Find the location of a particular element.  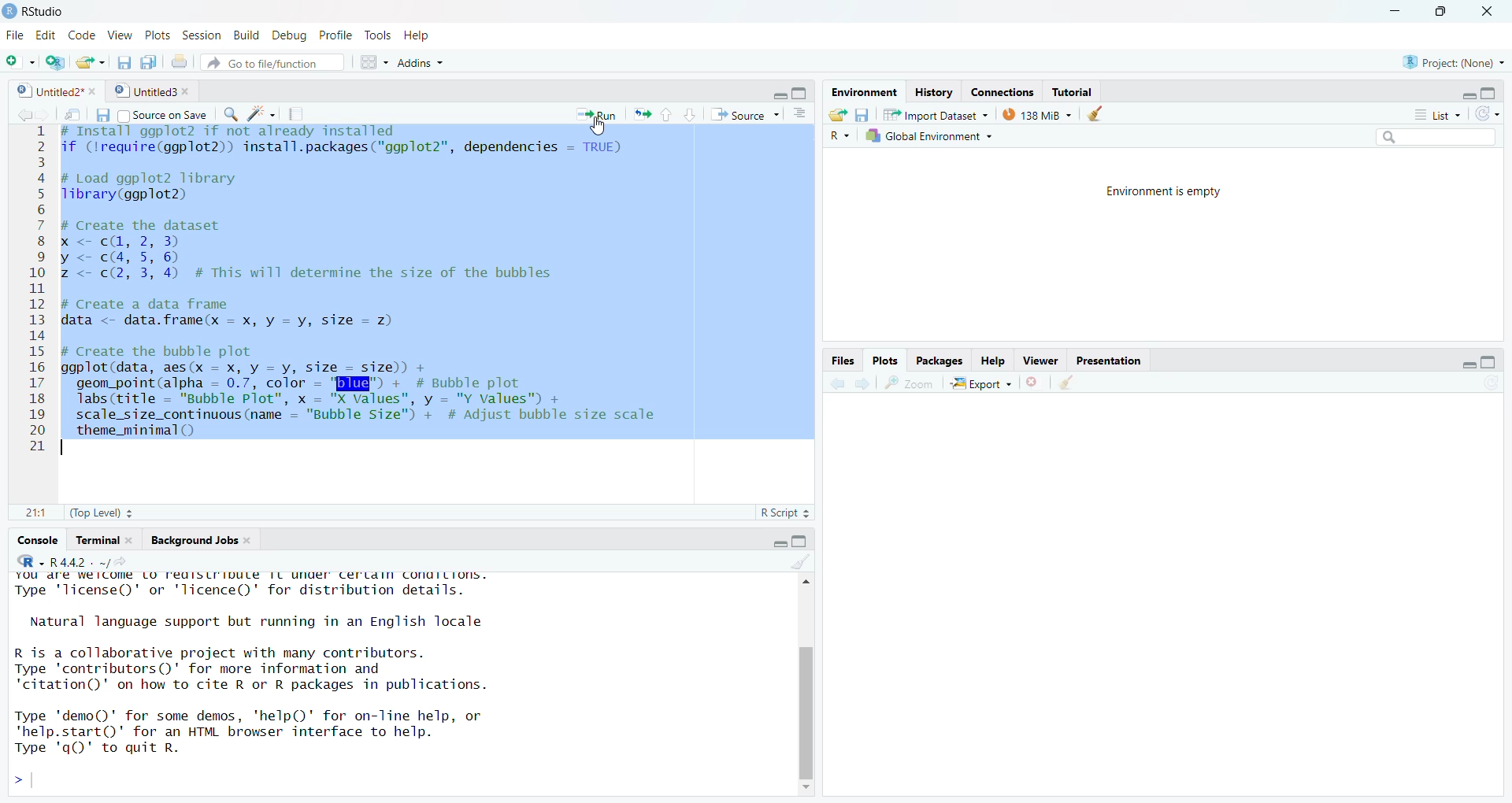

Rerun is located at coordinates (643, 114).